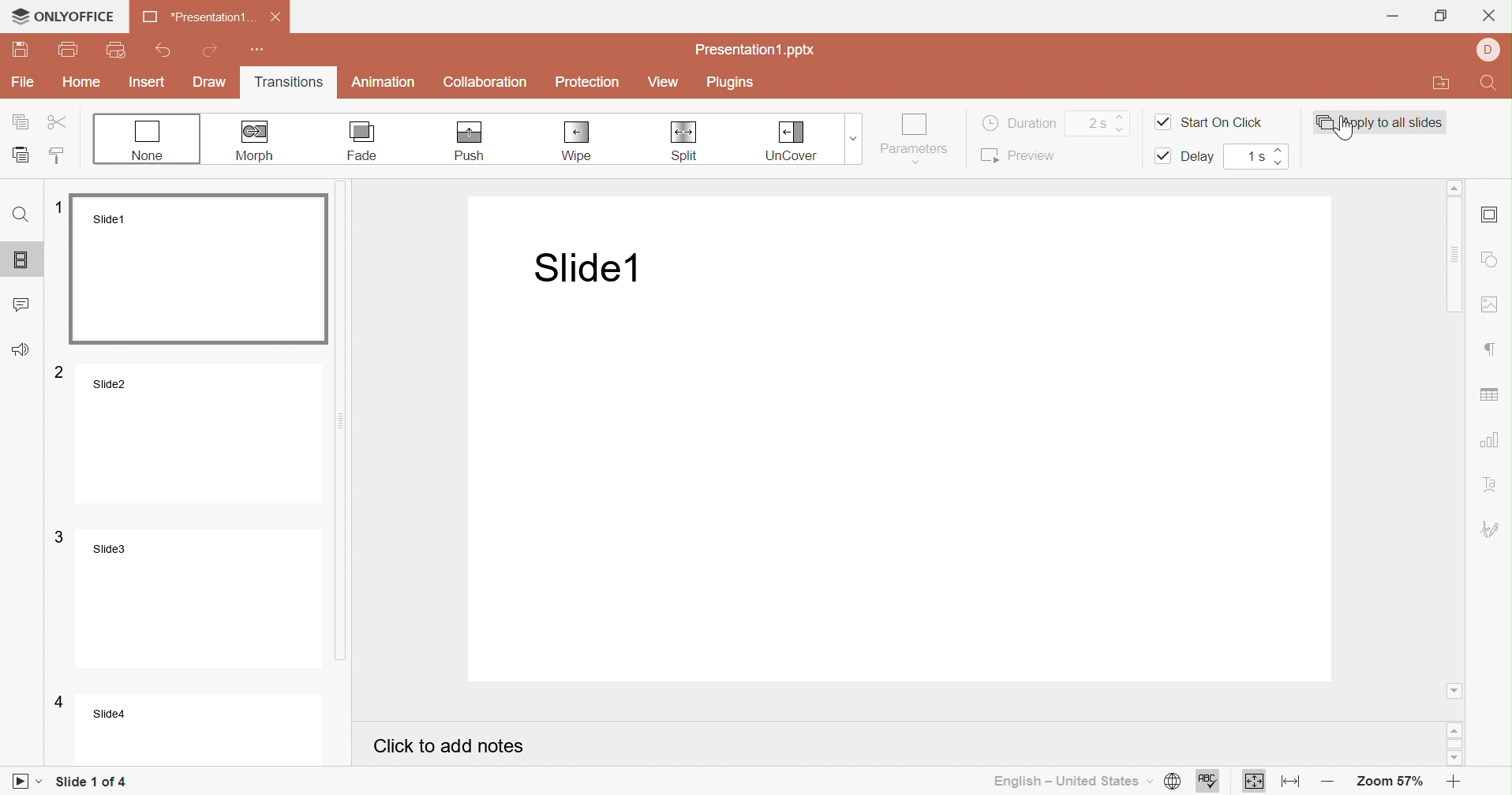 The height and width of the screenshot is (795, 1512). What do you see at coordinates (1496, 350) in the screenshot?
I see `Paragraph settings` at bounding box center [1496, 350].